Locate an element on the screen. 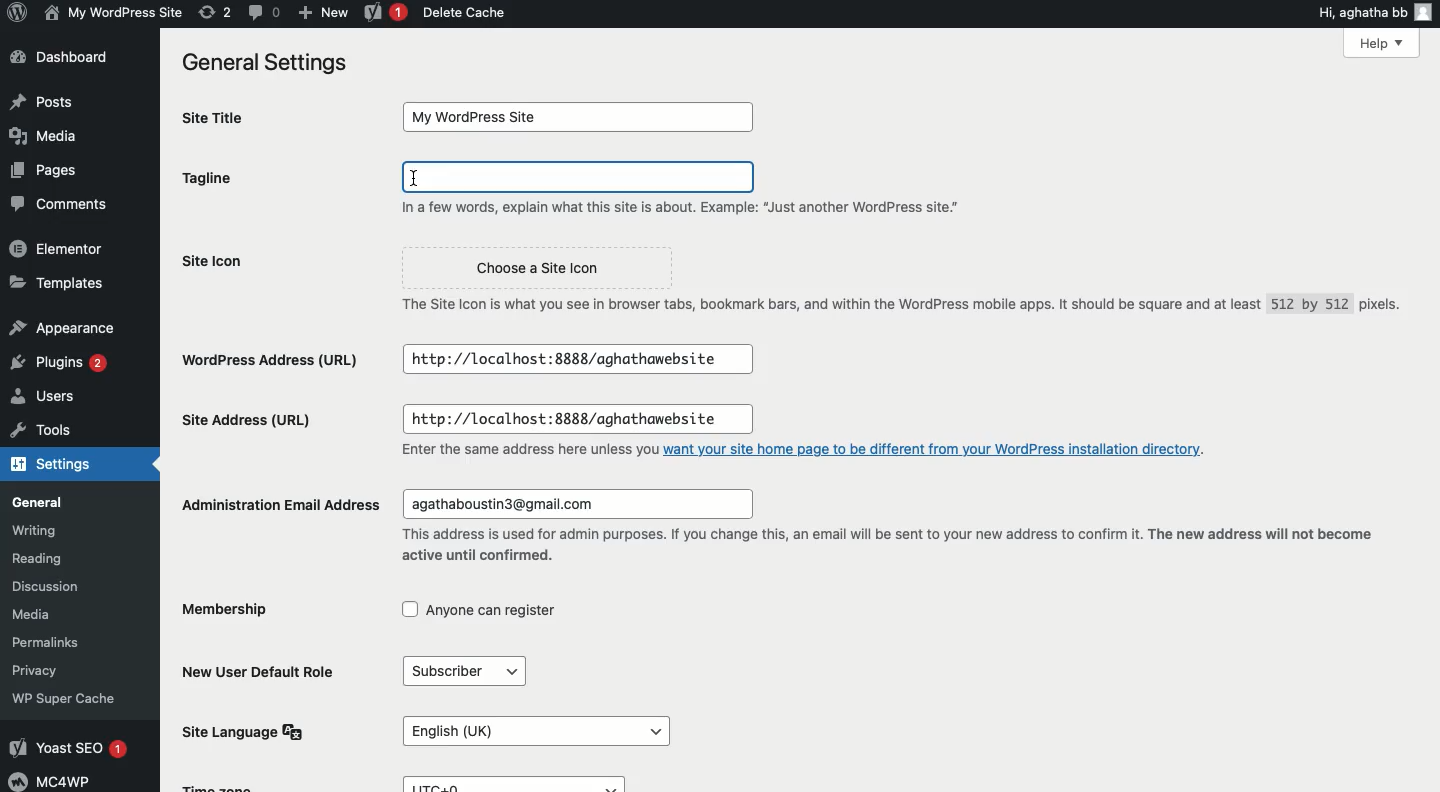  Site address (URL) is located at coordinates (268, 421).